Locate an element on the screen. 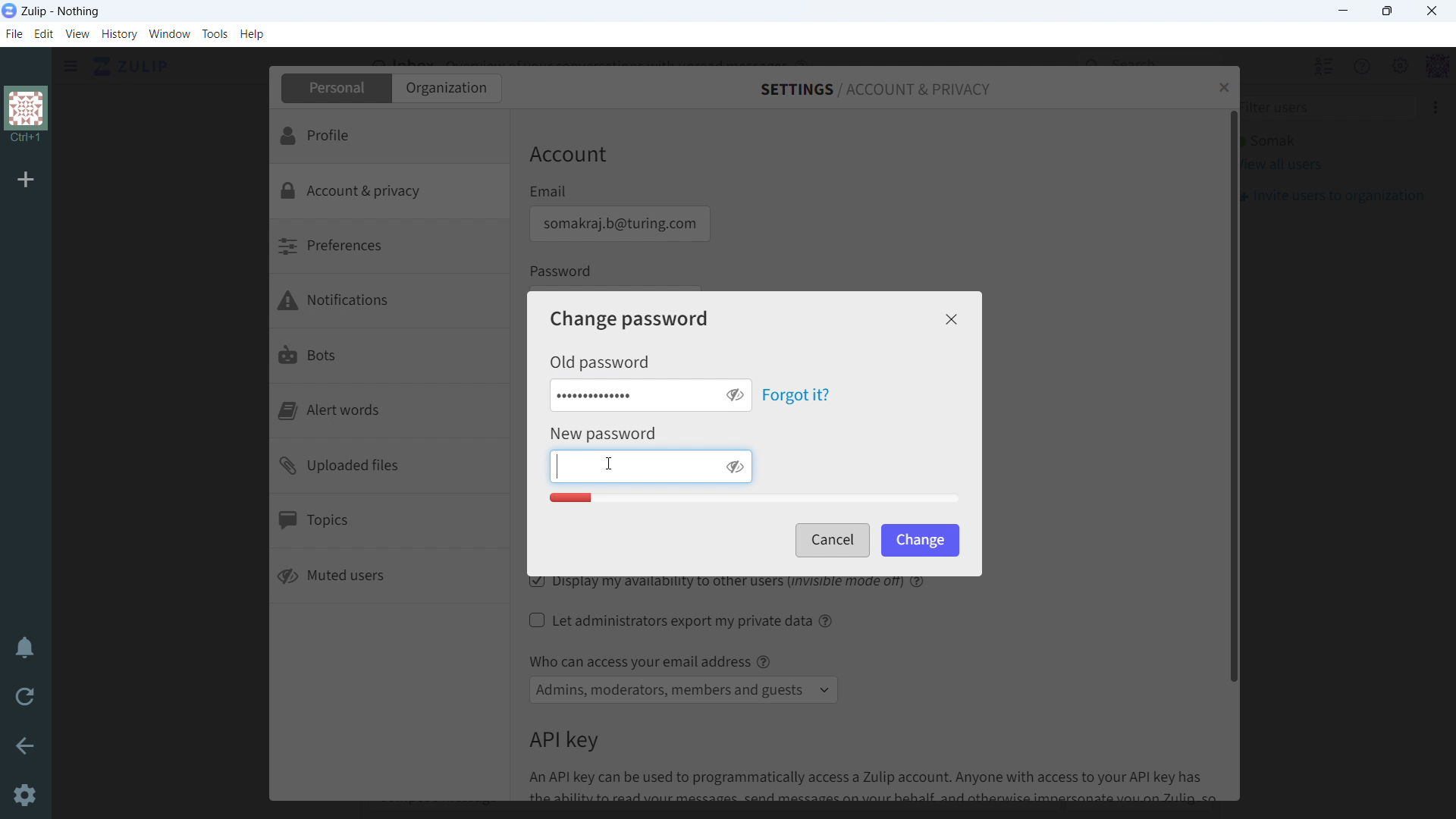  maximize is located at coordinates (1386, 11).